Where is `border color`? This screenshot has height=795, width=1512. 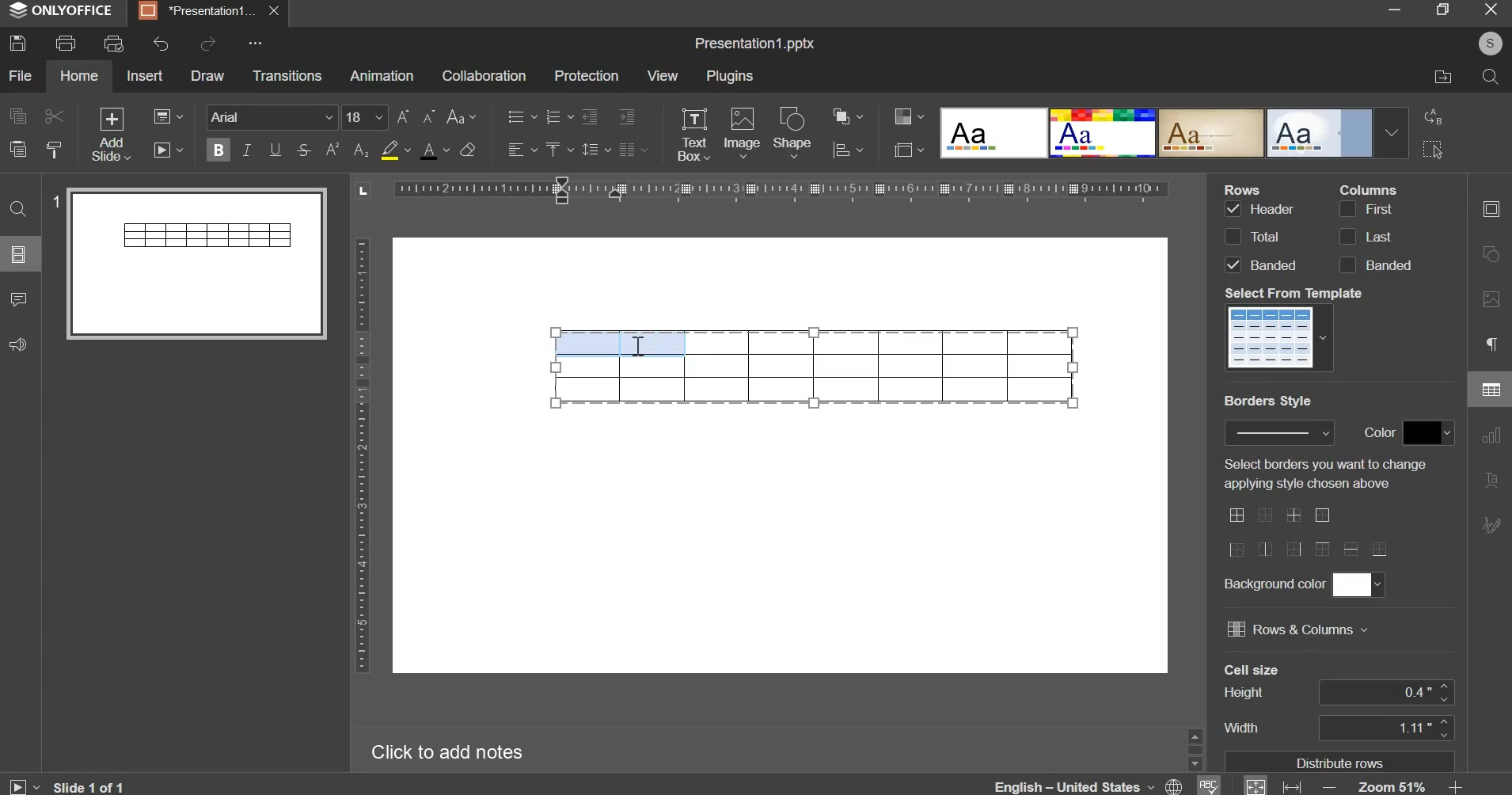 border color is located at coordinates (1426, 433).